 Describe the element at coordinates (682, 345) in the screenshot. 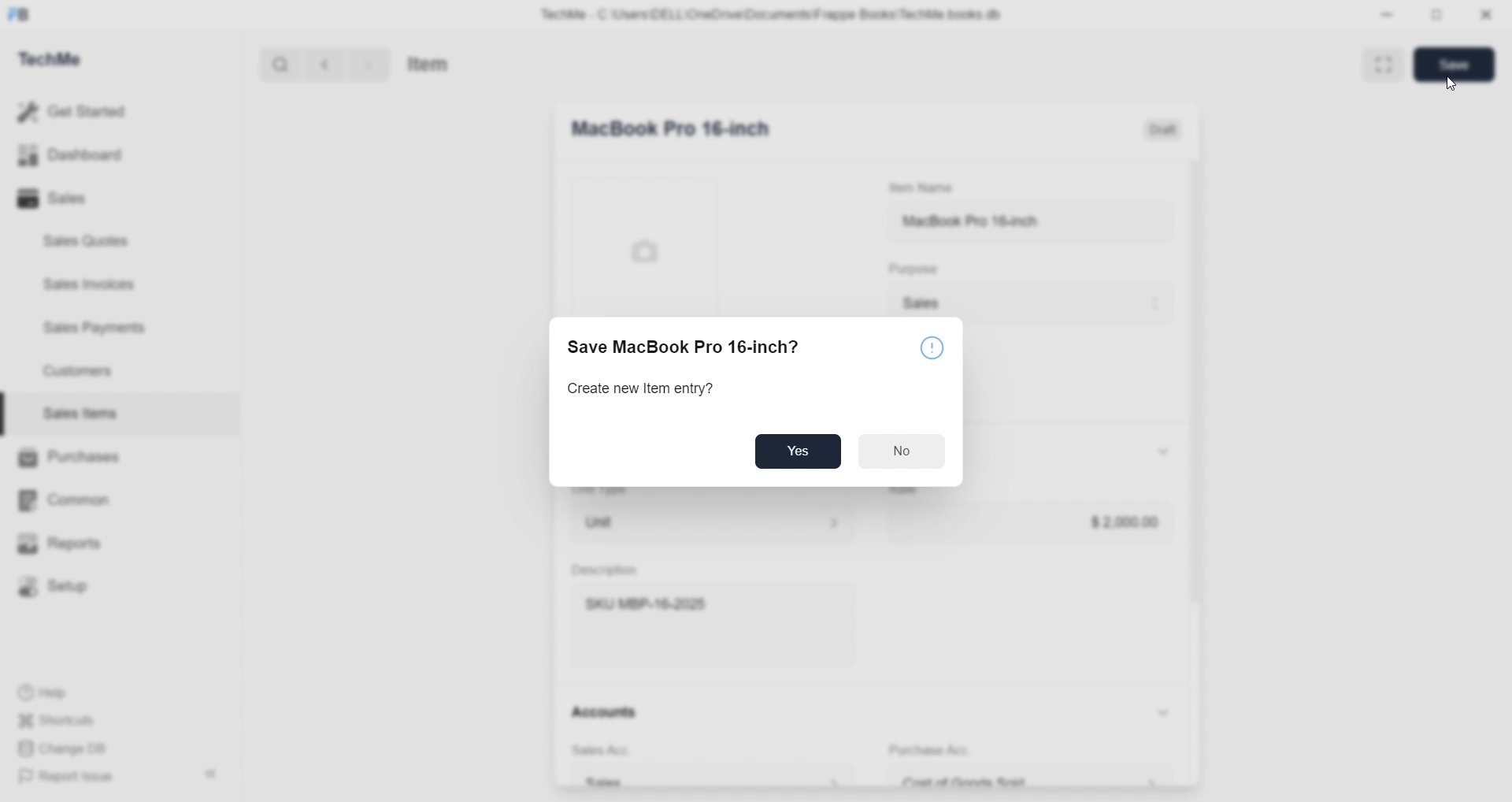

I see `Save MacBook Pro 16-inch?` at that location.